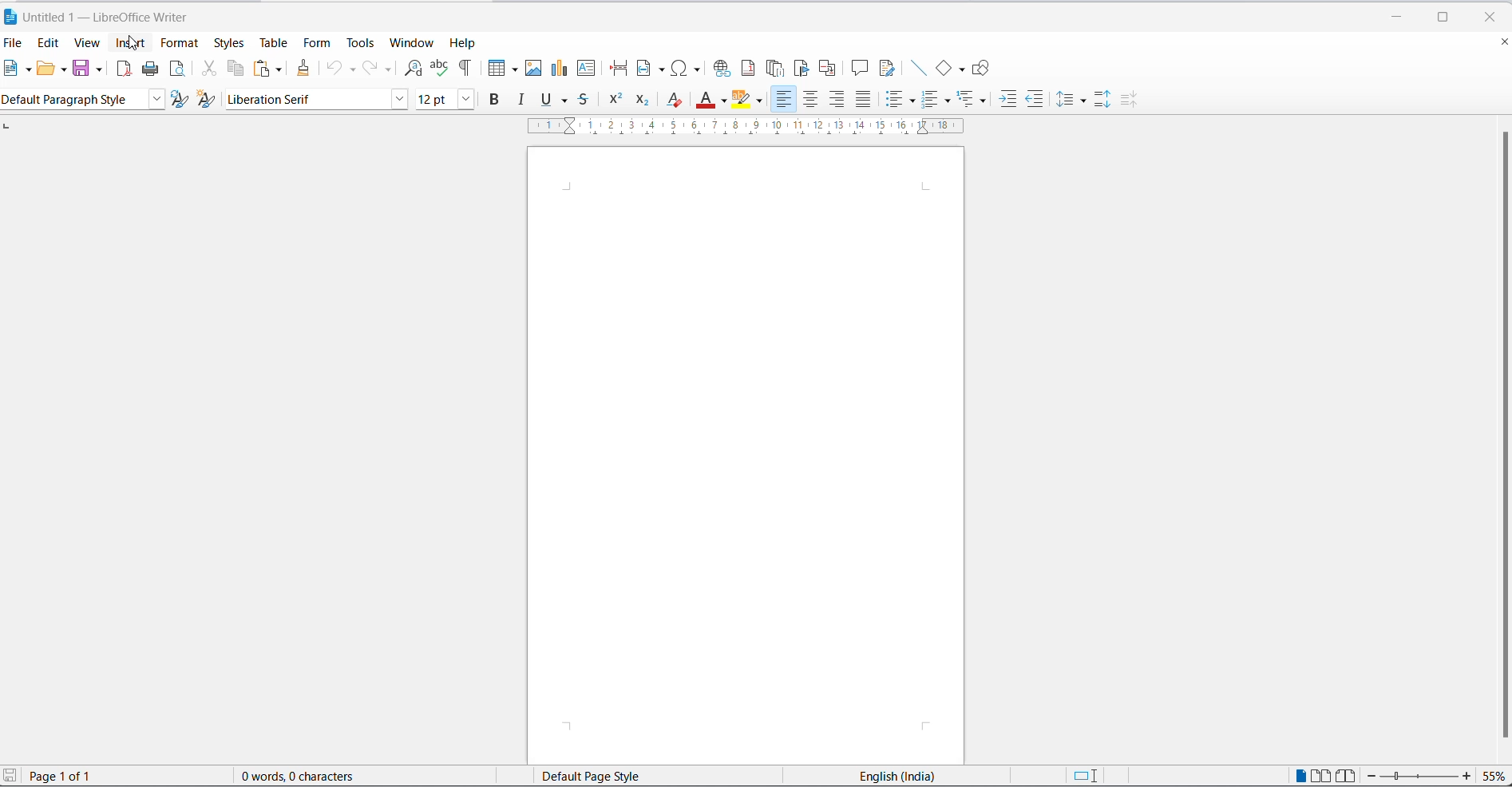 This screenshot has height=787, width=1512. What do you see at coordinates (121, 69) in the screenshot?
I see `export as pdf` at bounding box center [121, 69].